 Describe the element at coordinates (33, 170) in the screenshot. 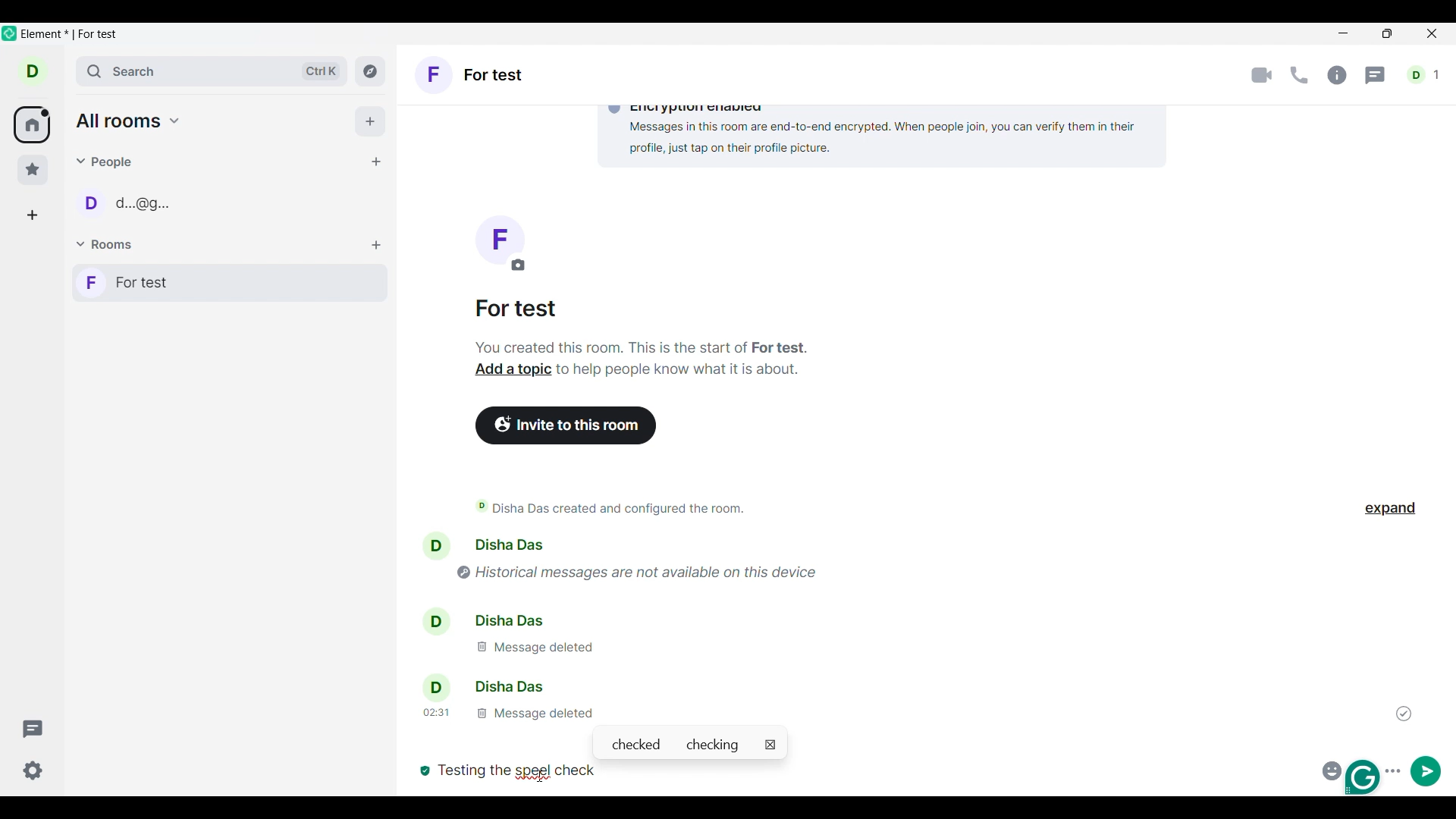

I see `Favorites` at that location.